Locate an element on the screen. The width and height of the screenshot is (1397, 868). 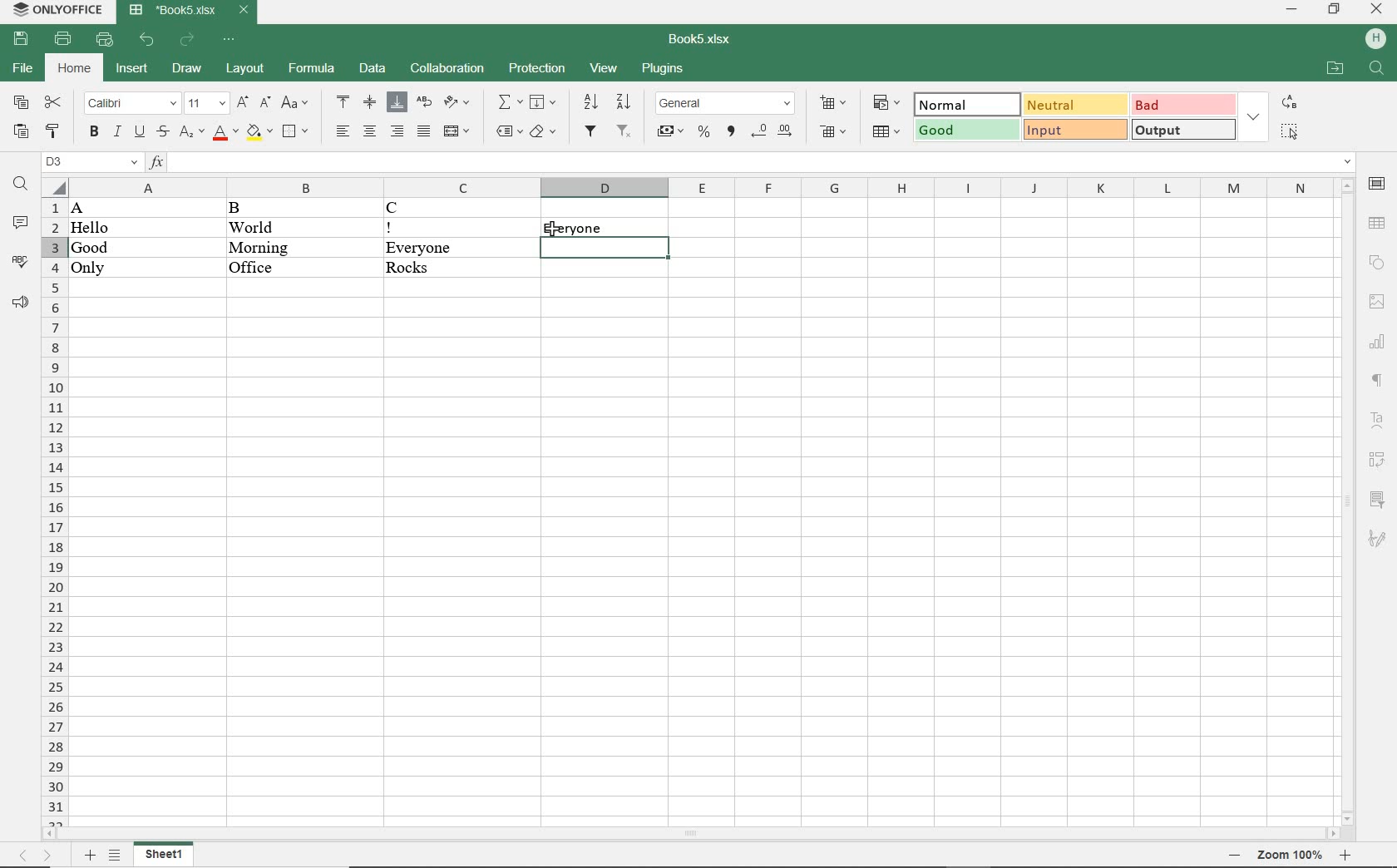
bad is located at coordinates (1182, 105).